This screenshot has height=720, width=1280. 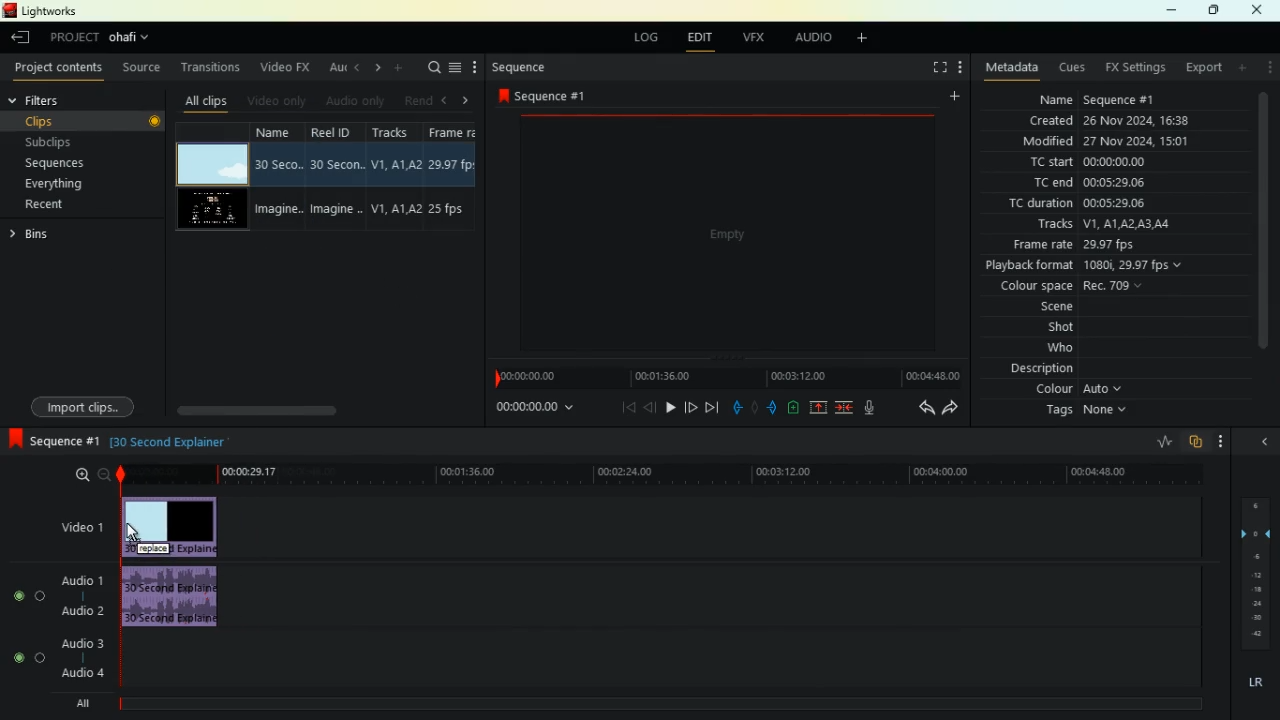 What do you see at coordinates (173, 598) in the screenshot?
I see `audio` at bounding box center [173, 598].